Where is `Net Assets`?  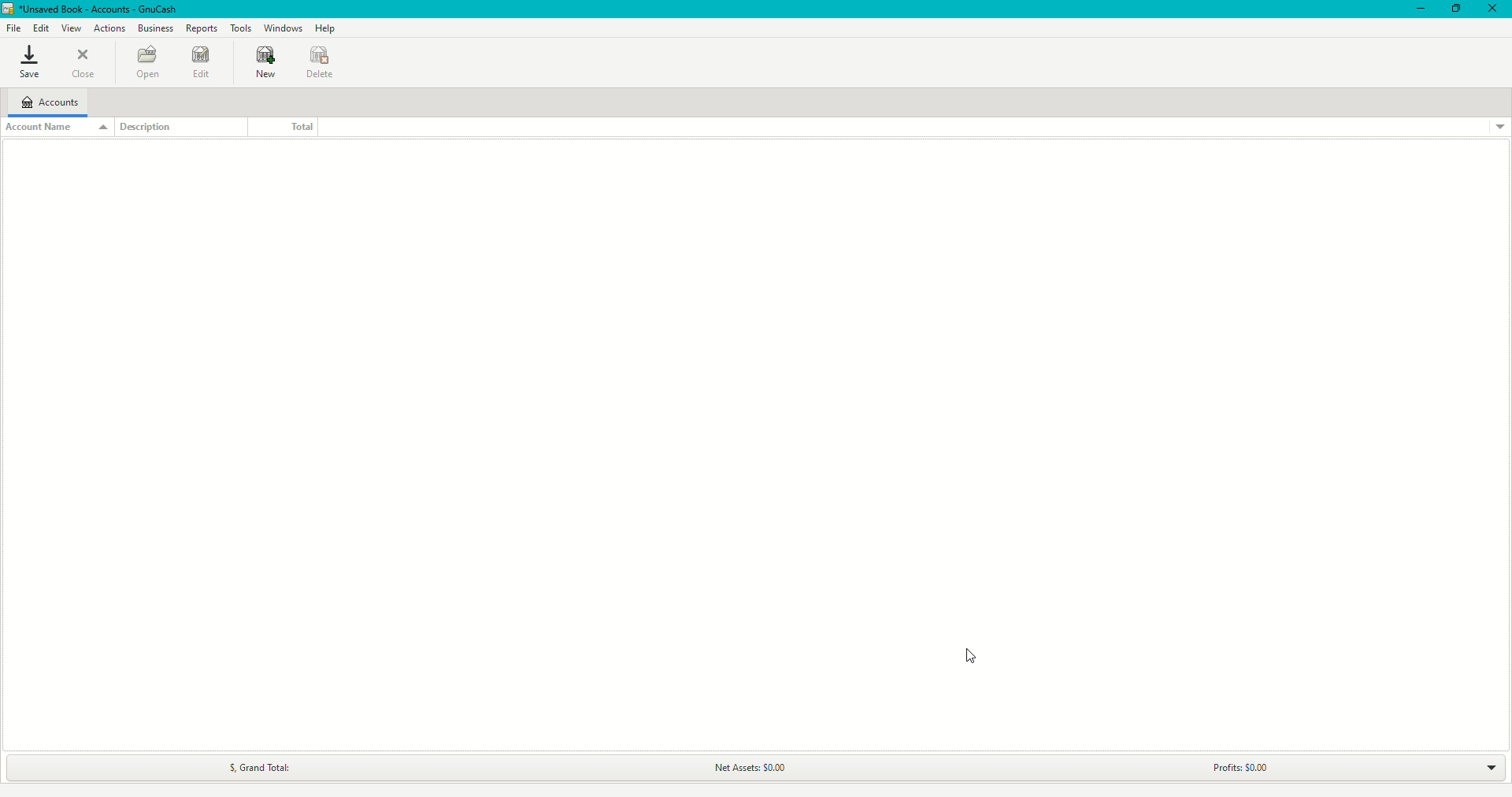
Net Assets is located at coordinates (747, 769).